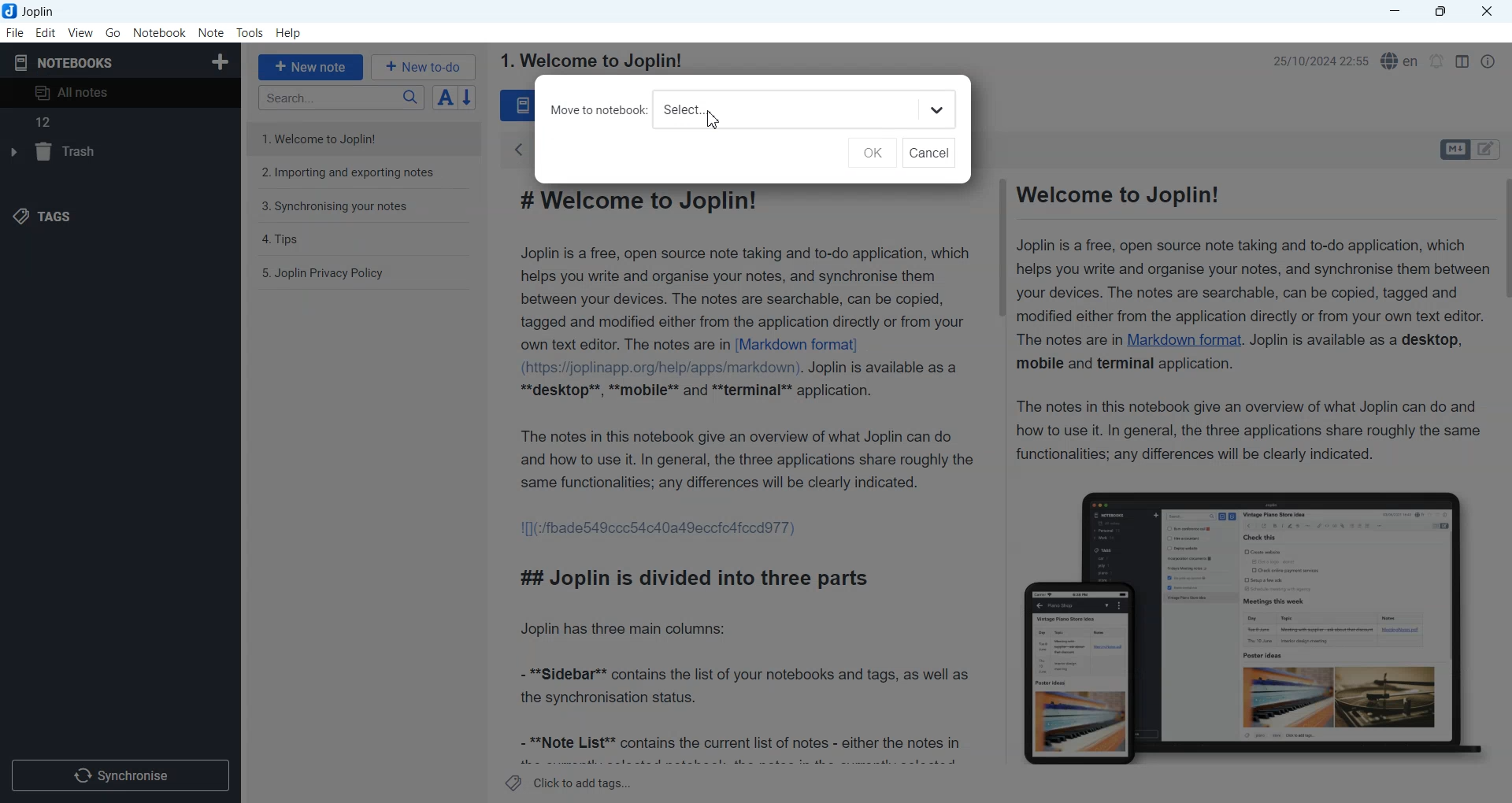 Image resolution: width=1512 pixels, height=803 pixels. Describe the element at coordinates (937, 110) in the screenshot. I see `Dropdown book for select file` at that location.